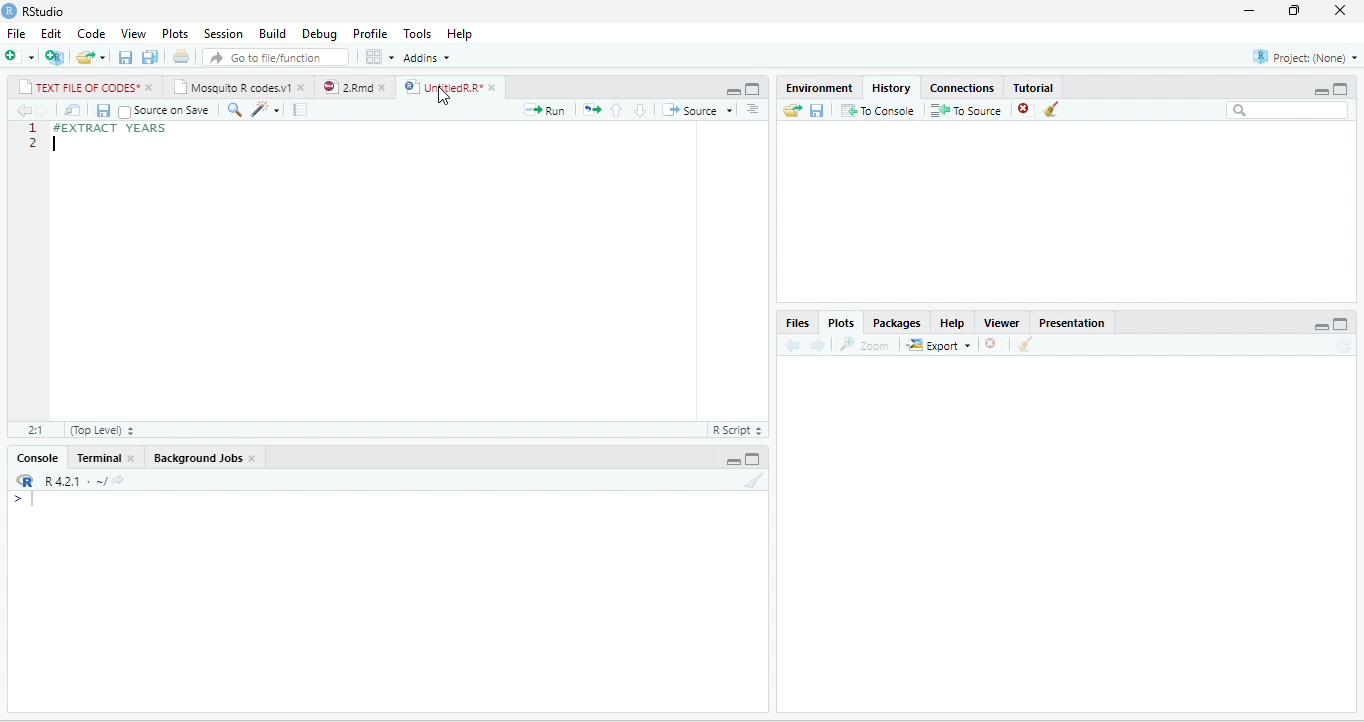 This screenshot has width=1364, height=722. I want to click on Edit, so click(51, 34).